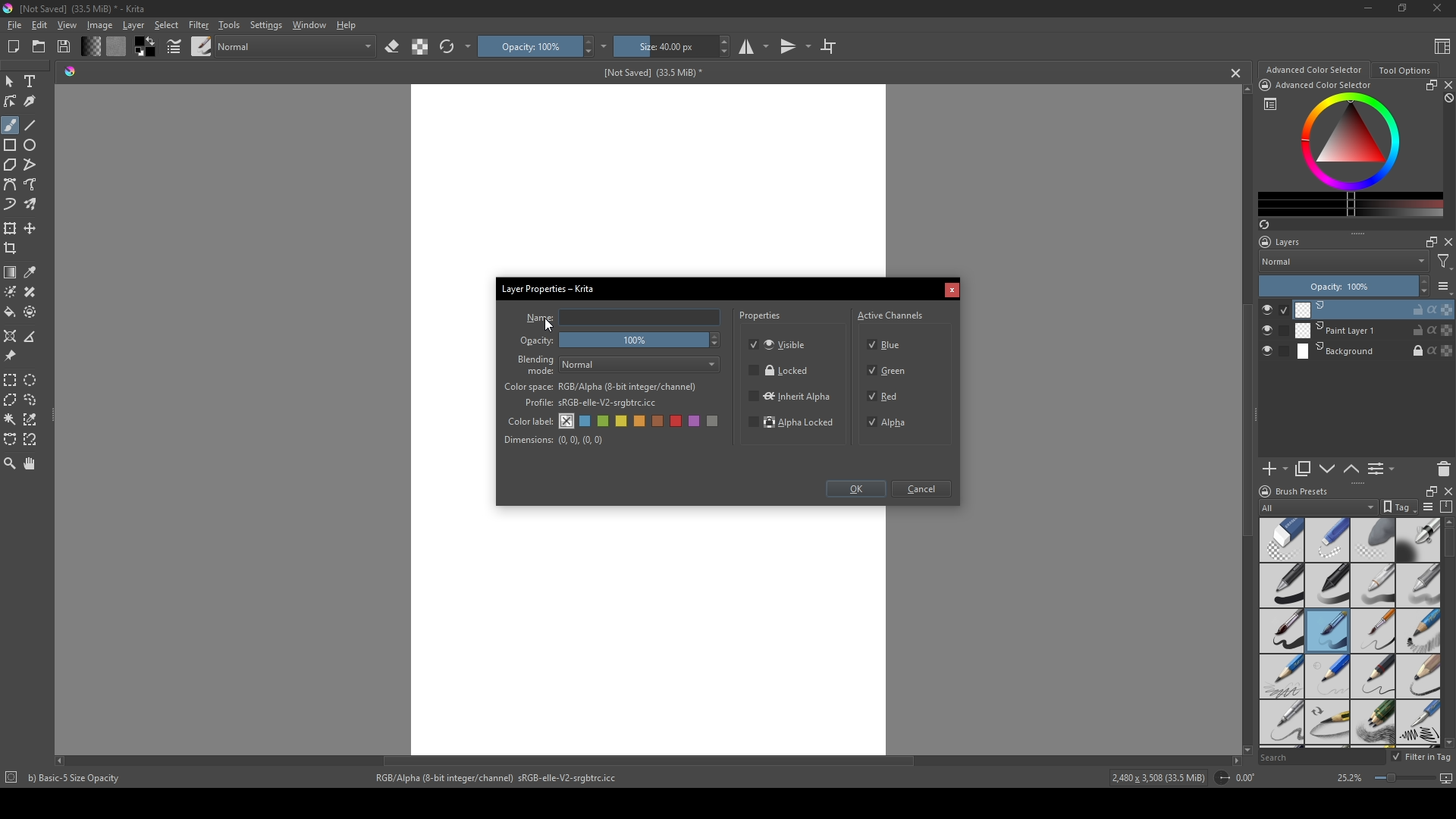  Describe the element at coordinates (1328, 723) in the screenshot. I see `pencil` at that location.